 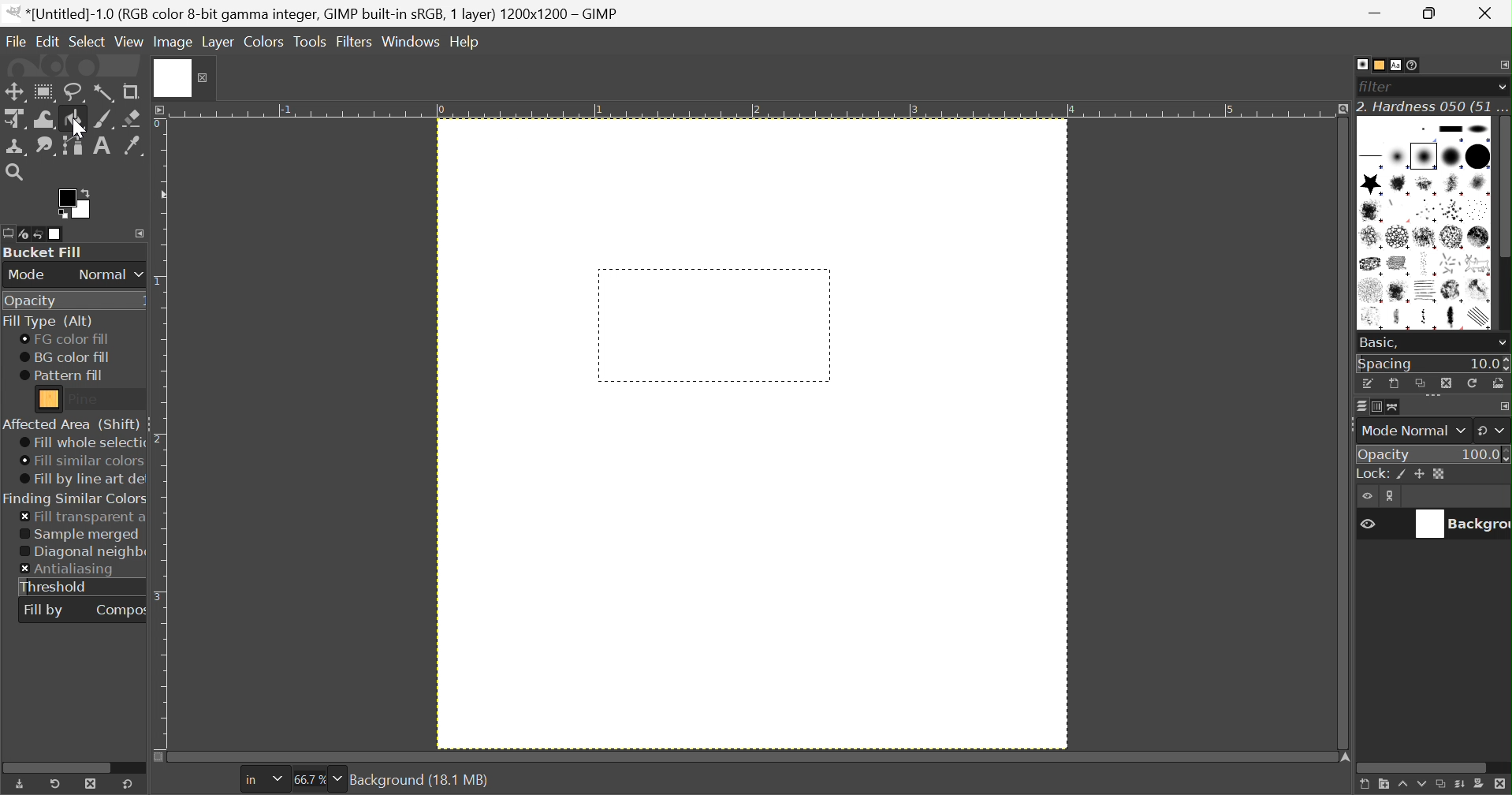 What do you see at coordinates (1434, 13) in the screenshot?
I see `Restore Down` at bounding box center [1434, 13].